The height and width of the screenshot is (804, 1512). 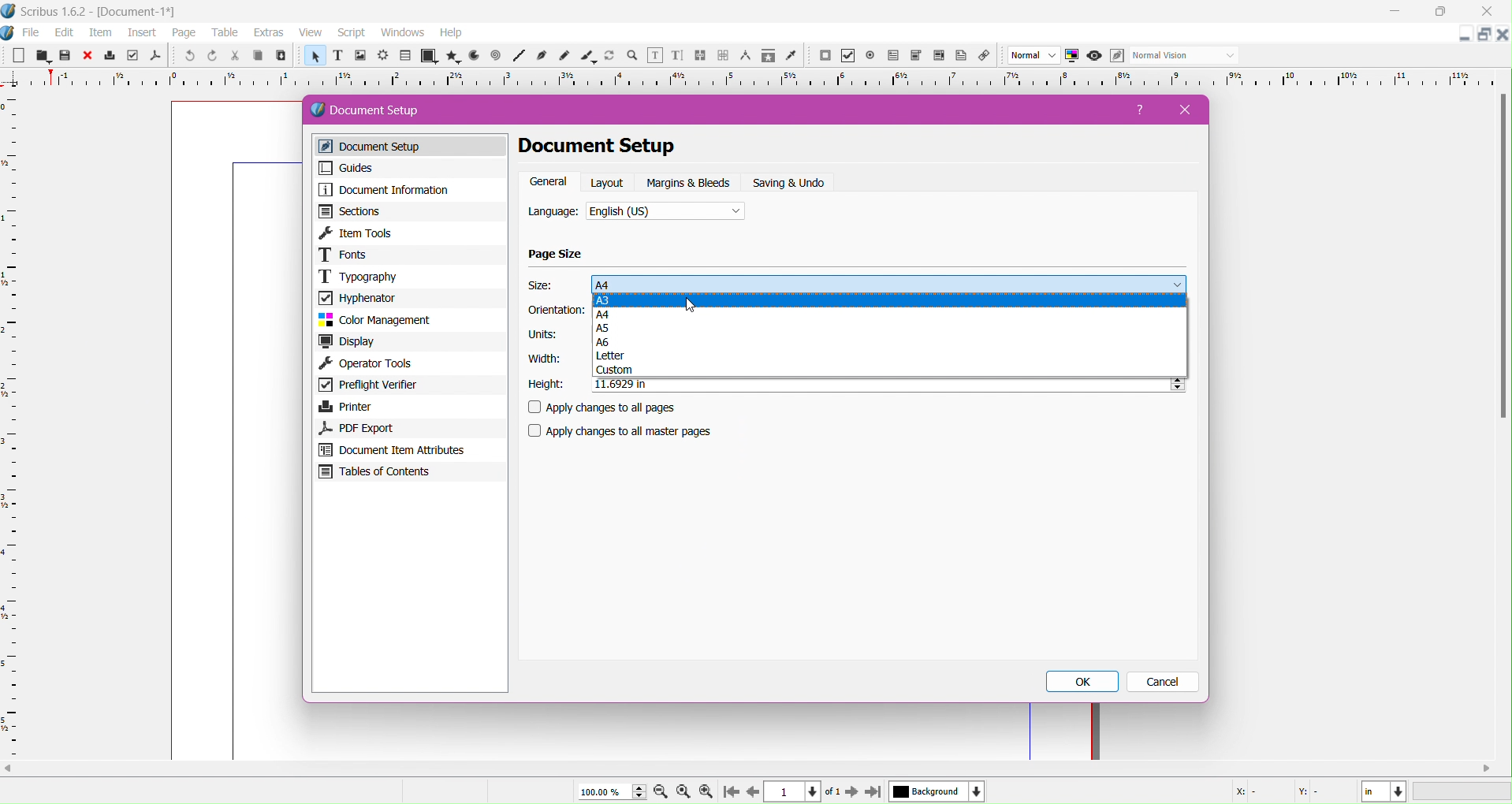 What do you see at coordinates (851, 793) in the screenshot?
I see `go to next page` at bounding box center [851, 793].